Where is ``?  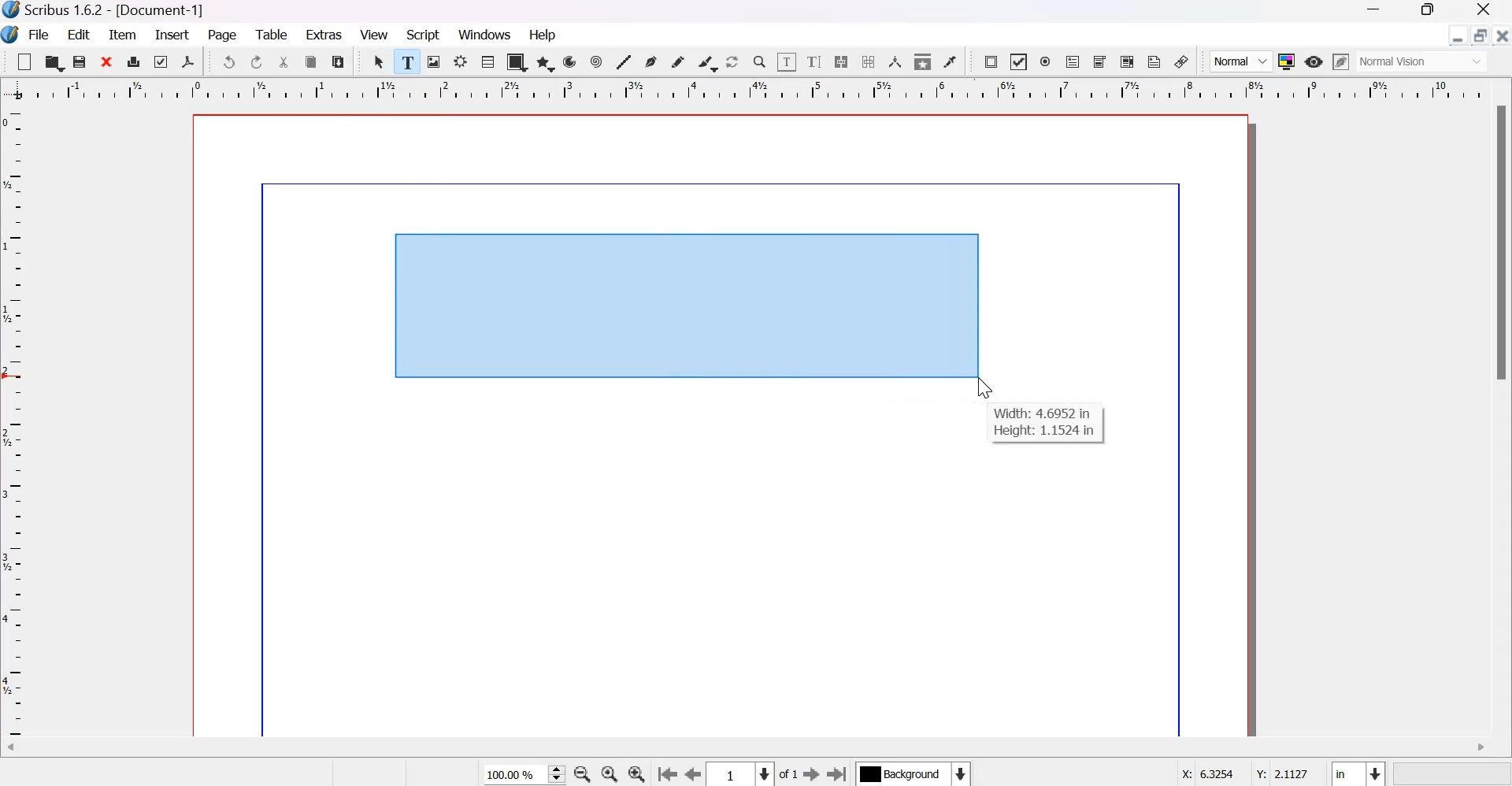  is located at coordinates (271, 35).